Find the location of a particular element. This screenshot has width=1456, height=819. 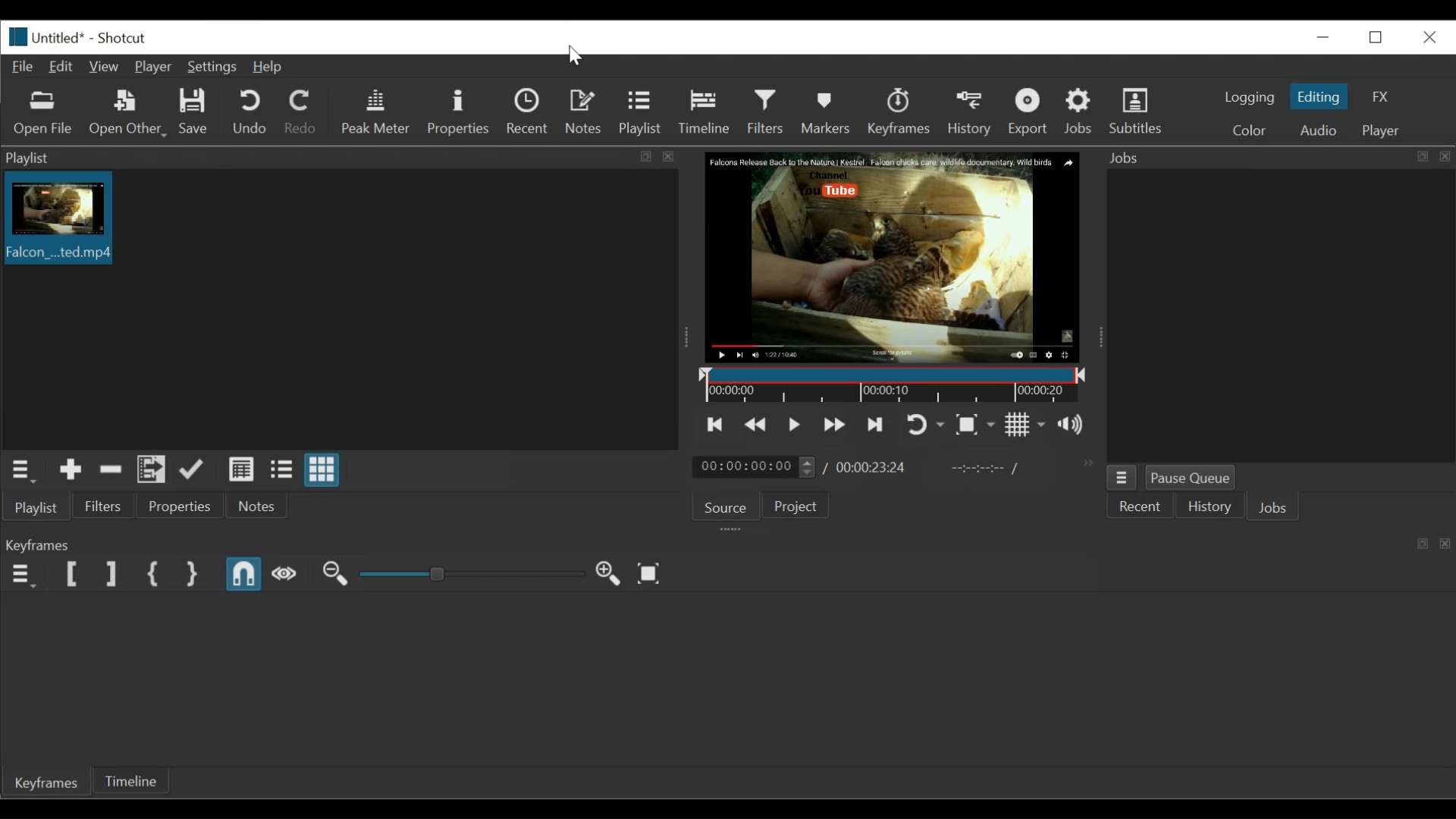

Zoom keyframe out is located at coordinates (334, 575).